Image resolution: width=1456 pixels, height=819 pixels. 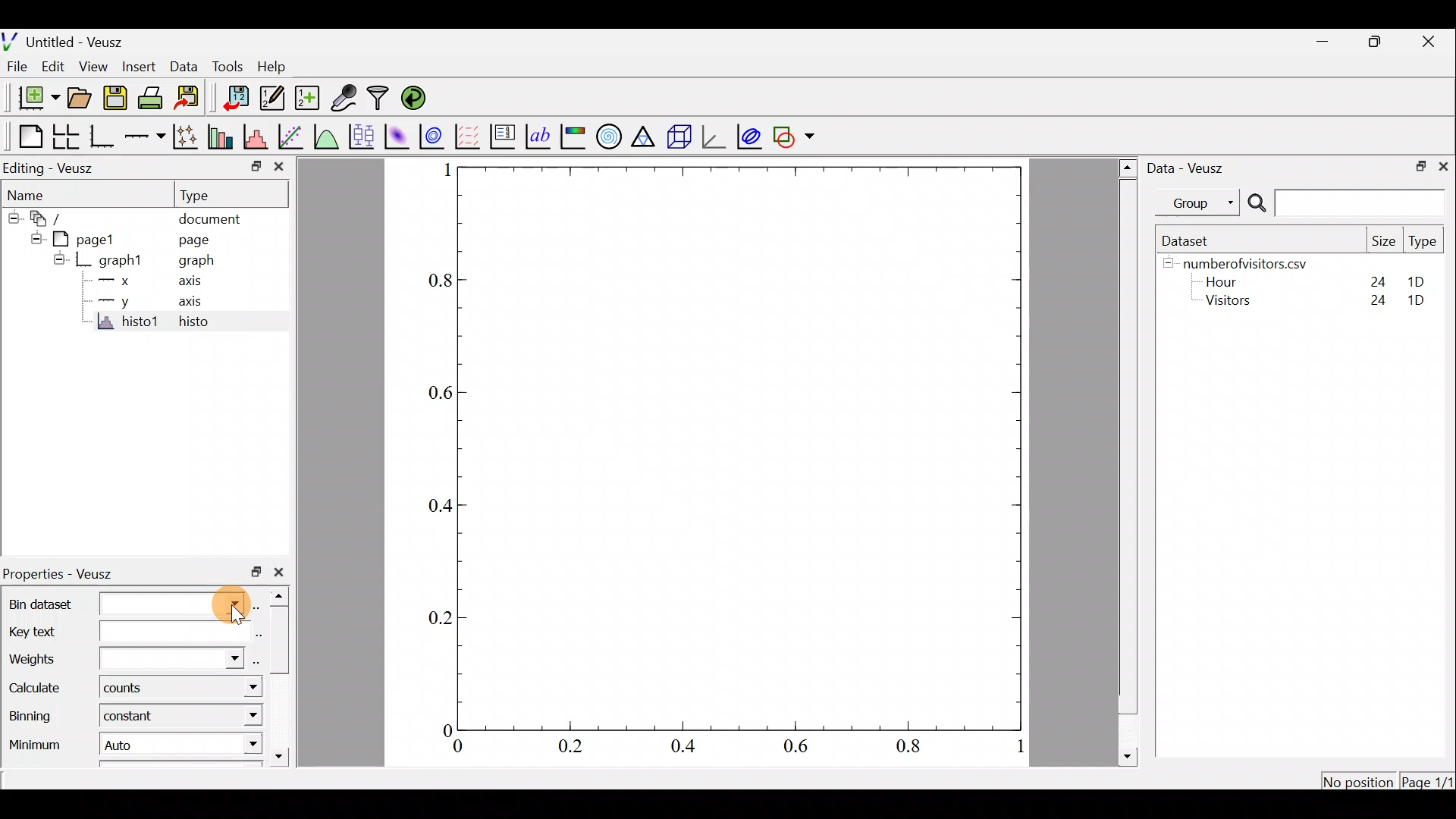 What do you see at coordinates (220, 135) in the screenshot?
I see `plot bar charts` at bounding box center [220, 135].